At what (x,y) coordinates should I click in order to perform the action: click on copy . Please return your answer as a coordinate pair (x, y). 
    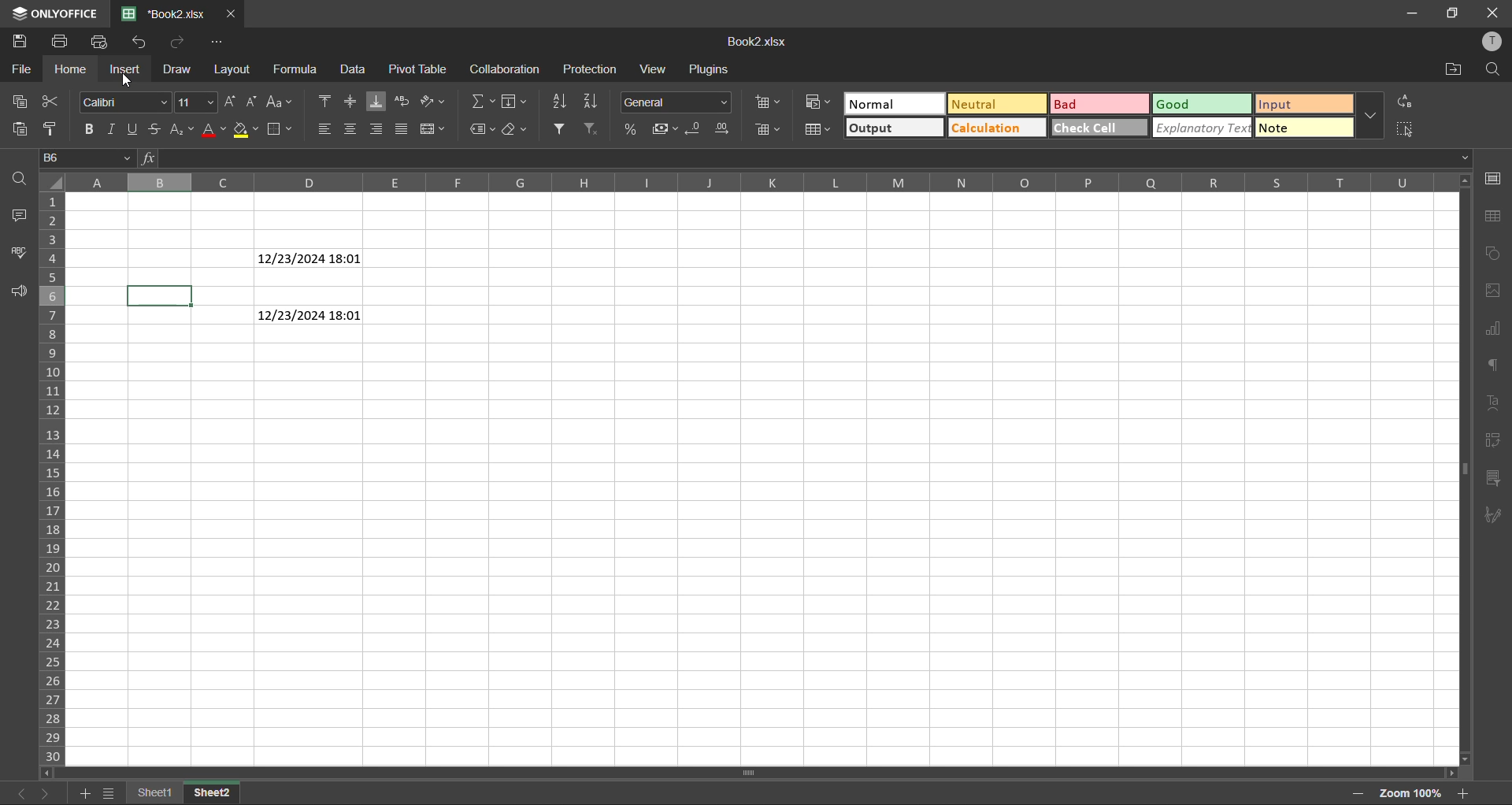
    Looking at the image, I should click on (17, 99).